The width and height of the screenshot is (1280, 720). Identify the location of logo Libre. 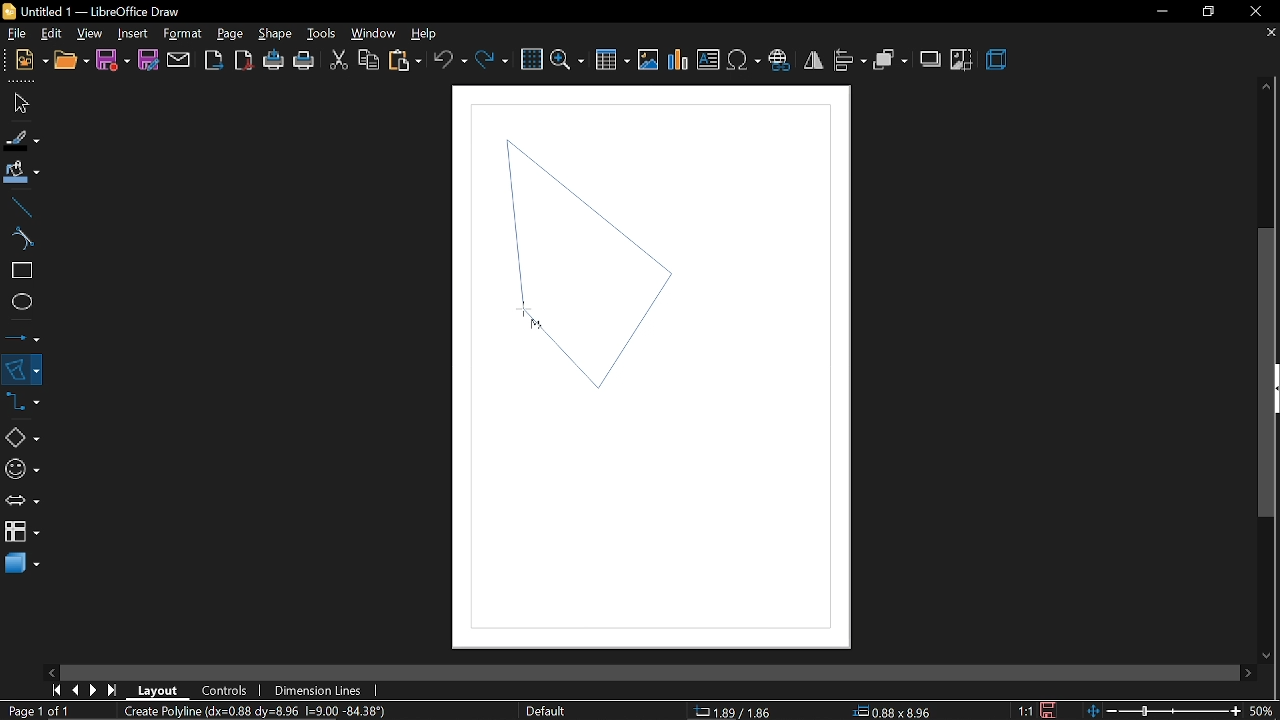
(11, 12).